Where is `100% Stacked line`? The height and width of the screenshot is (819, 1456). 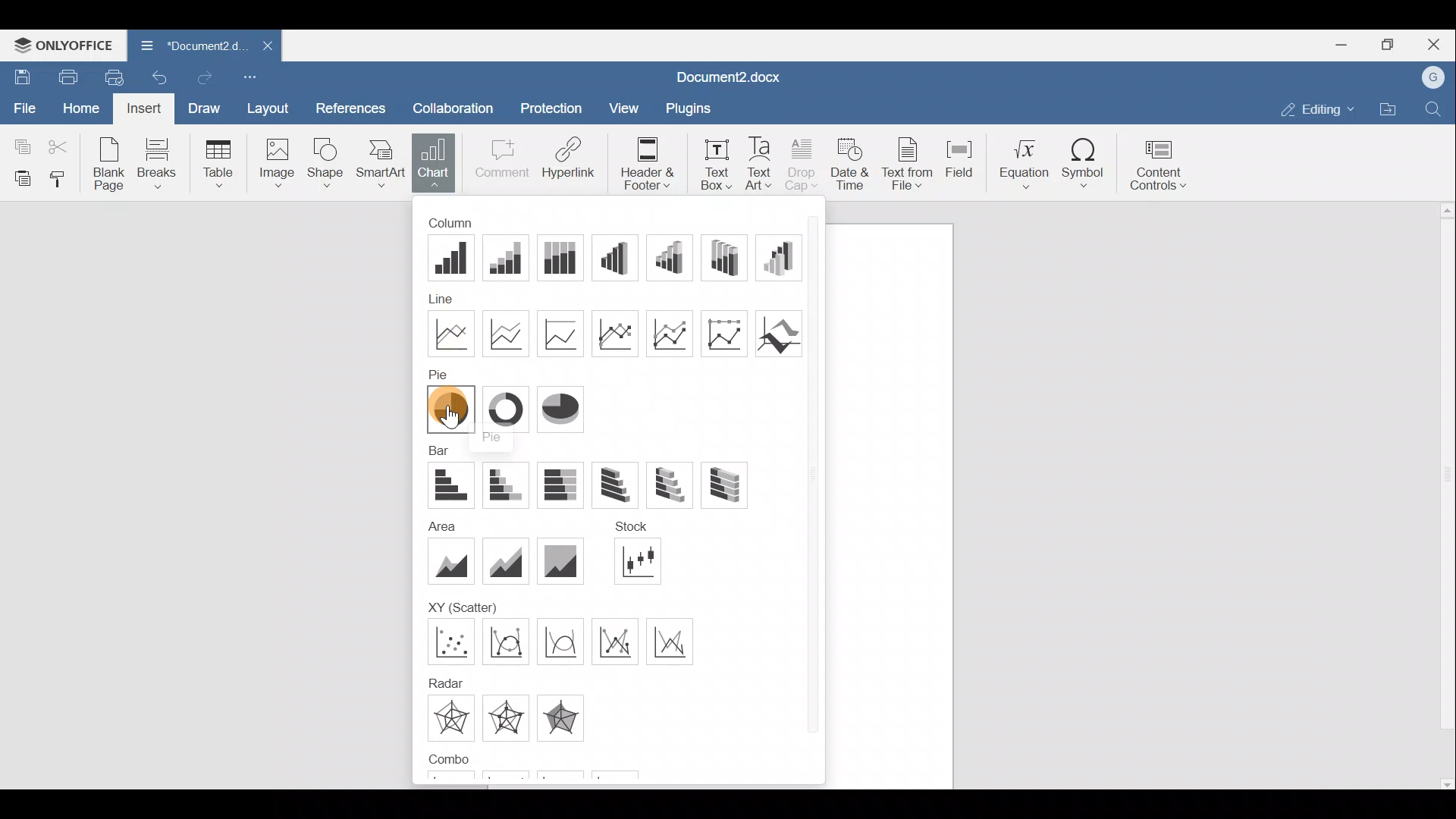
100% Stacked line is located at coordinates (568, 334).